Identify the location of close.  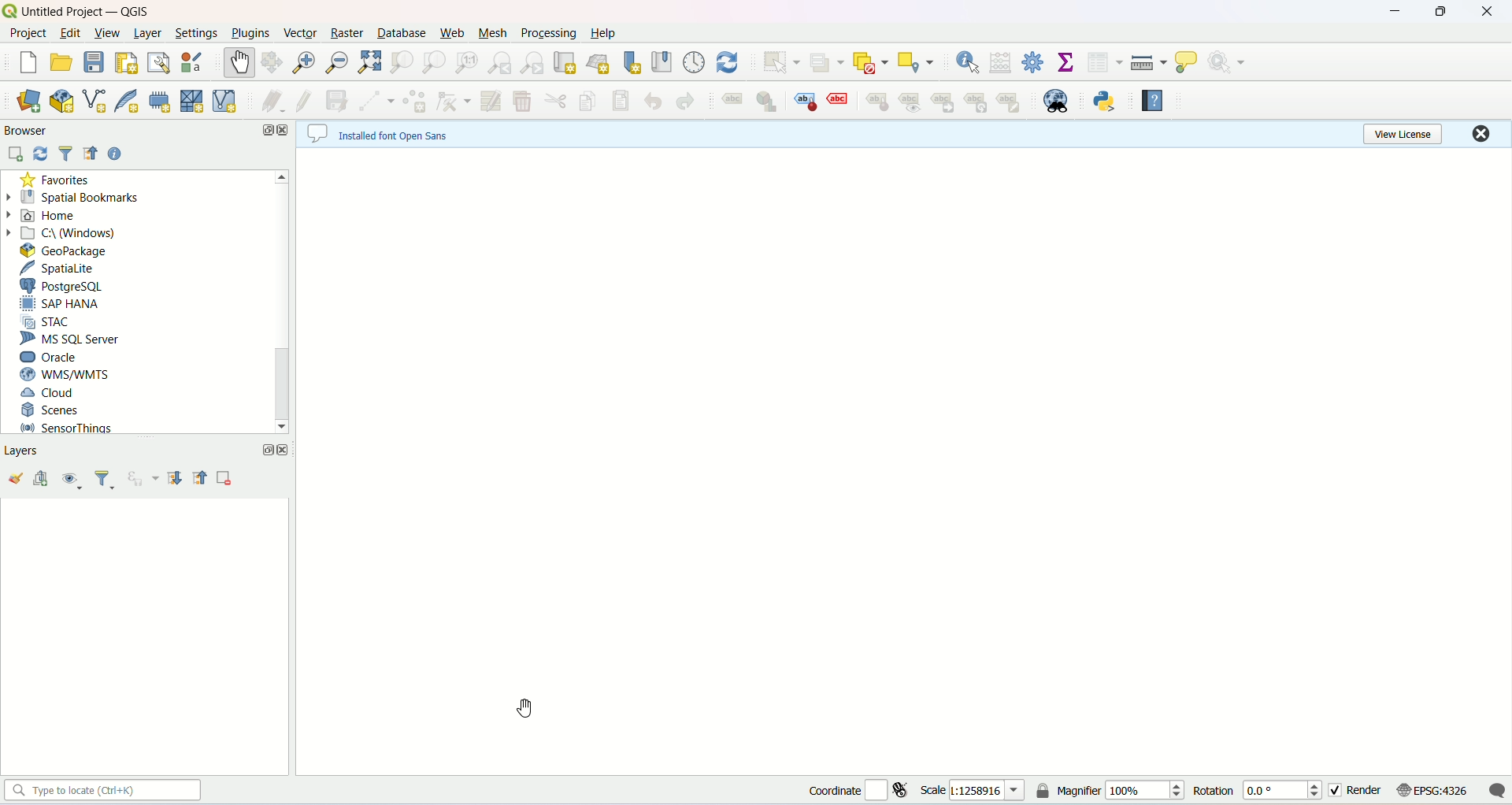
(285, 132).